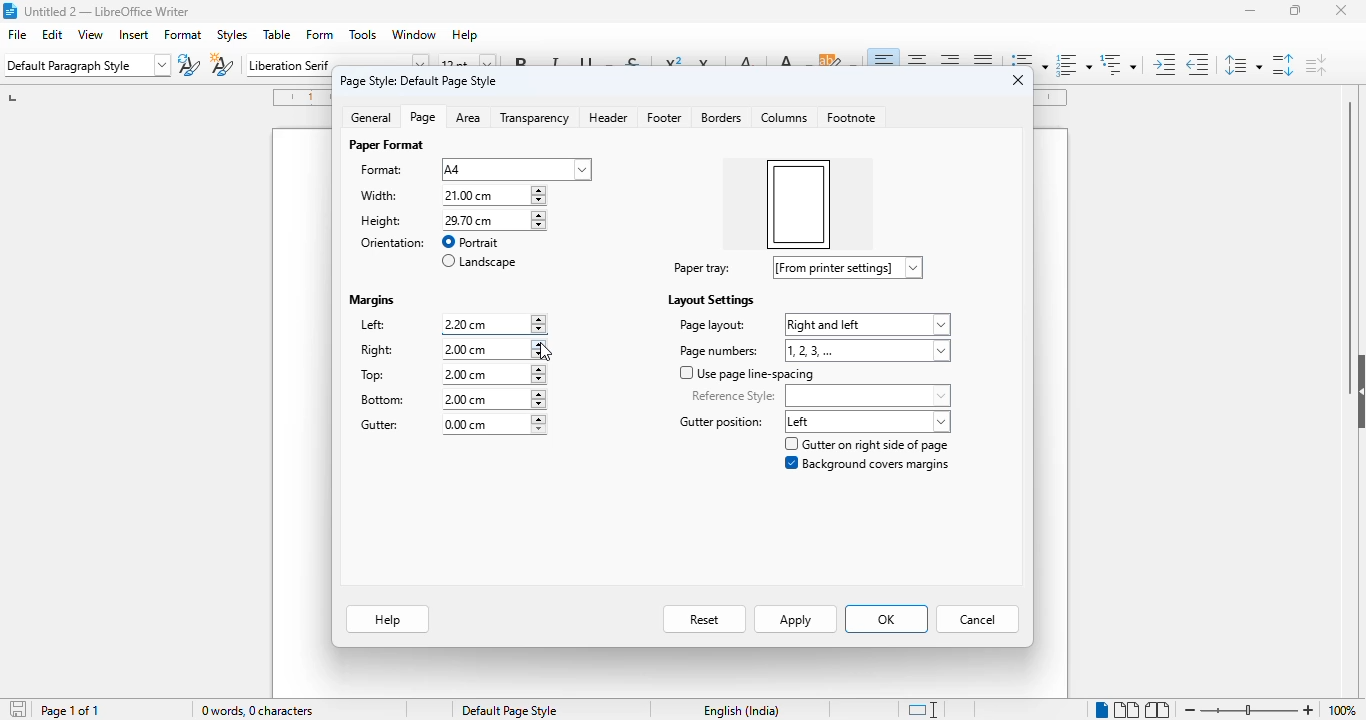 This screenshot has height=720, width=1366. What do you see at coordinates (509, 711) in the screenshot?
I see `default page style` at bounding box center [509, 711].